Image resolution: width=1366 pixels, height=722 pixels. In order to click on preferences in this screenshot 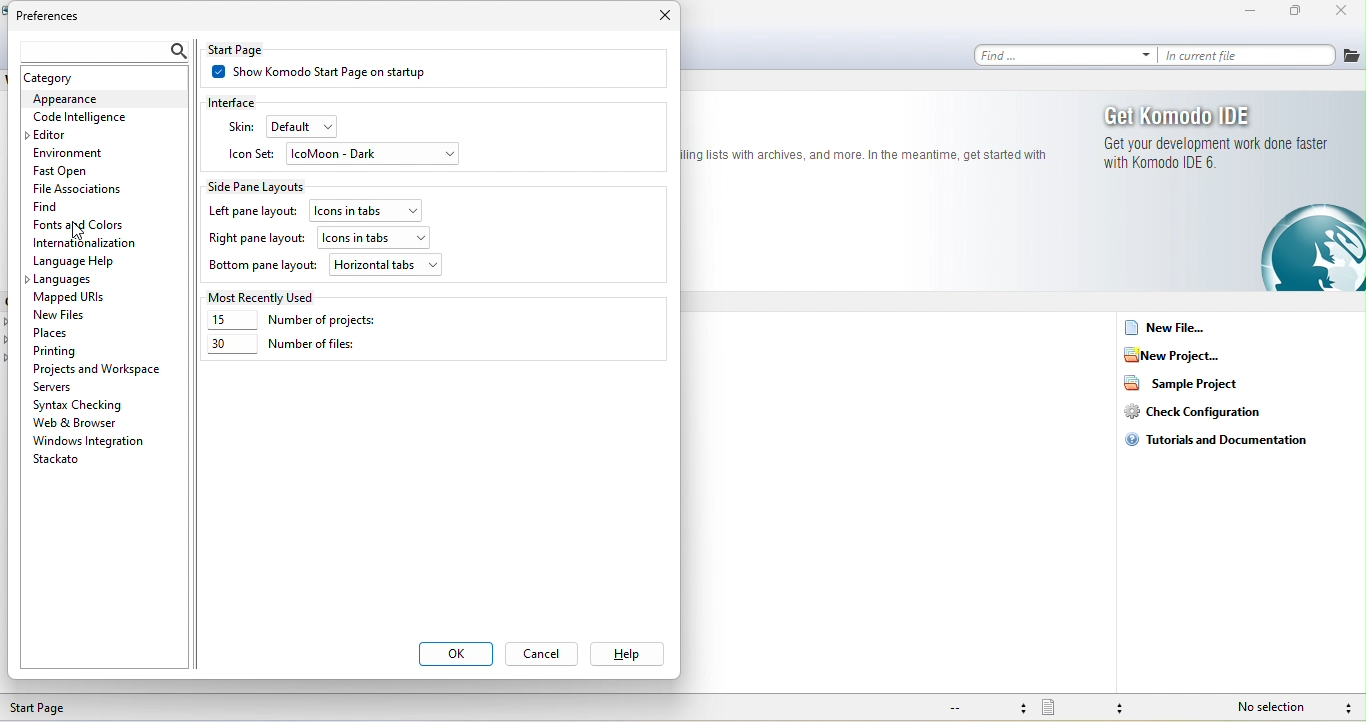, I will do `click(58, 17)`.